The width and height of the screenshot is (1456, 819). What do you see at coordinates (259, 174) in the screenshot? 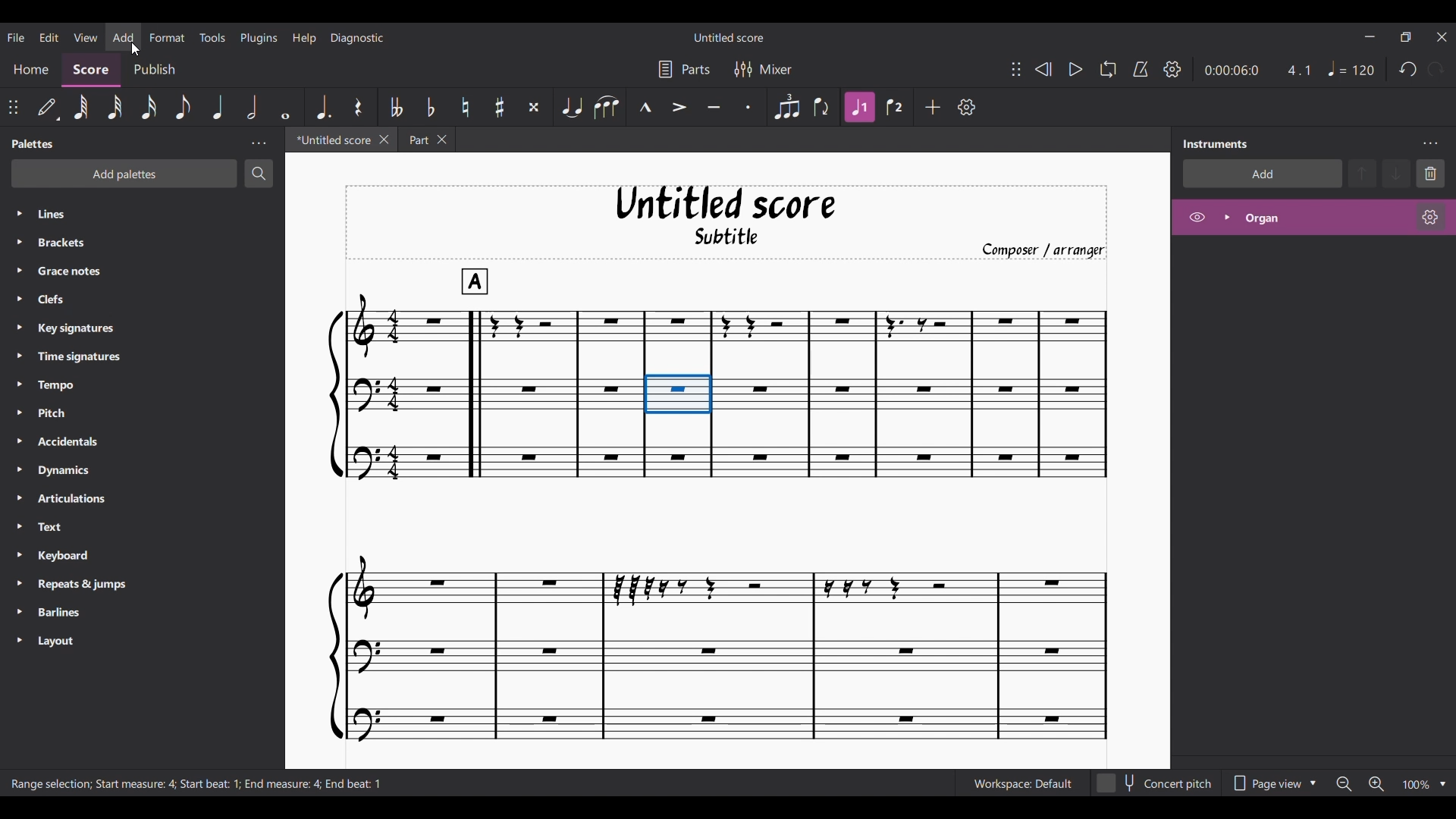
I see `Search` at bounding box center [259, 174].